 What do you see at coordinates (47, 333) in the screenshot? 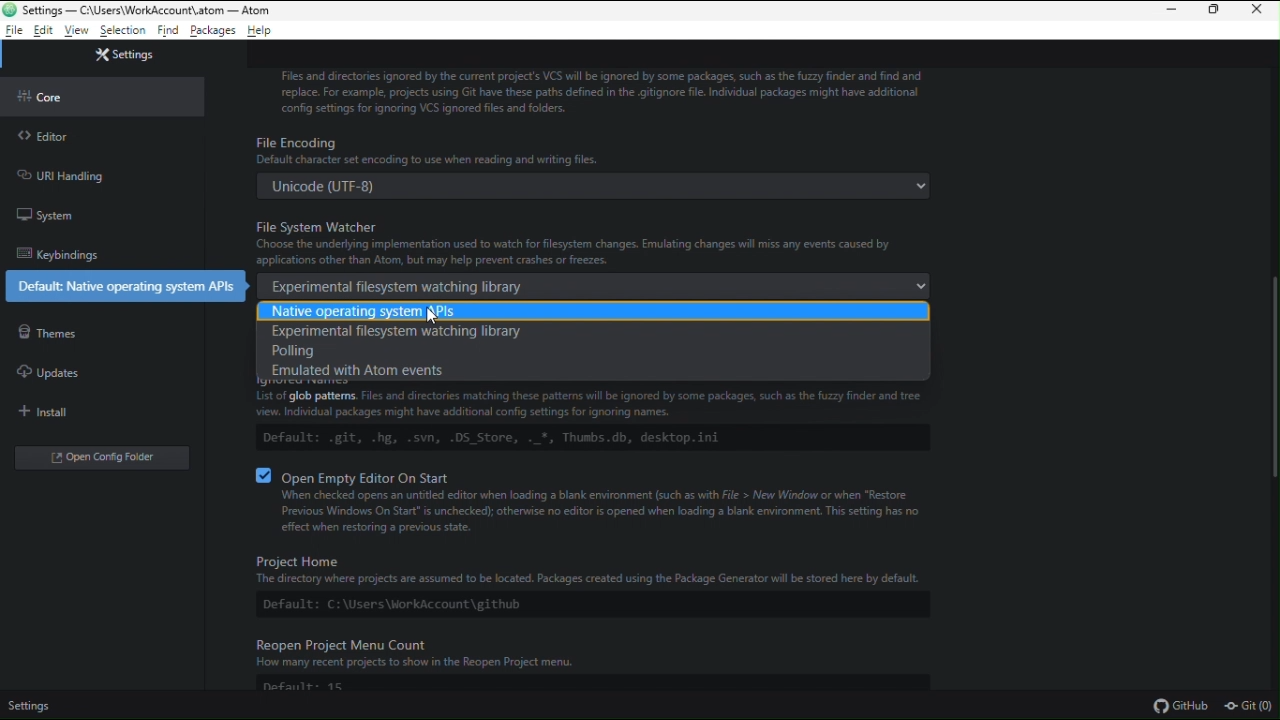
I see `Themes` at bounding box center [47, 333].